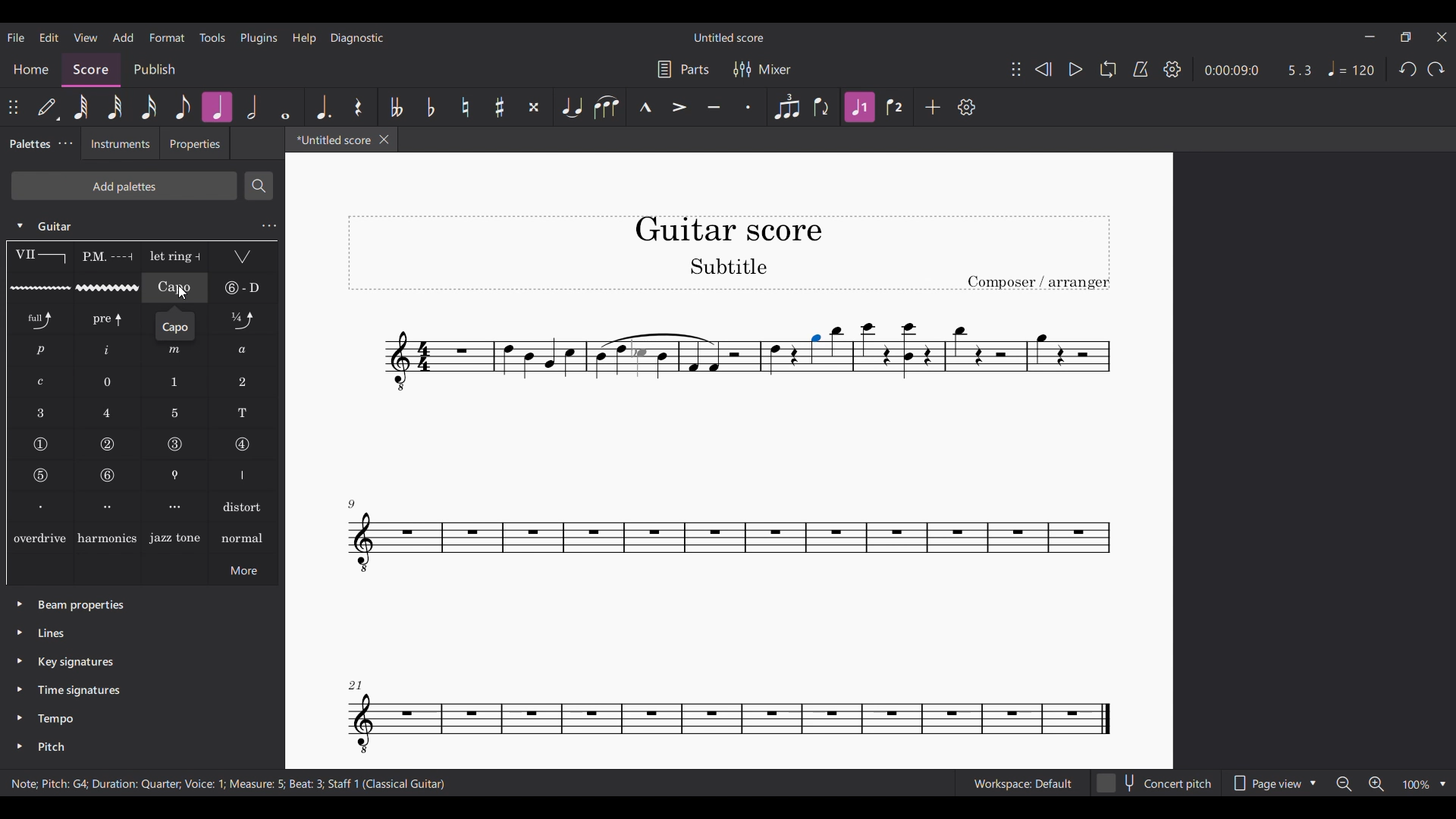  Describe the element at coordinates (1376, 784) in the screenshot. I see `Zoom in` at that location.